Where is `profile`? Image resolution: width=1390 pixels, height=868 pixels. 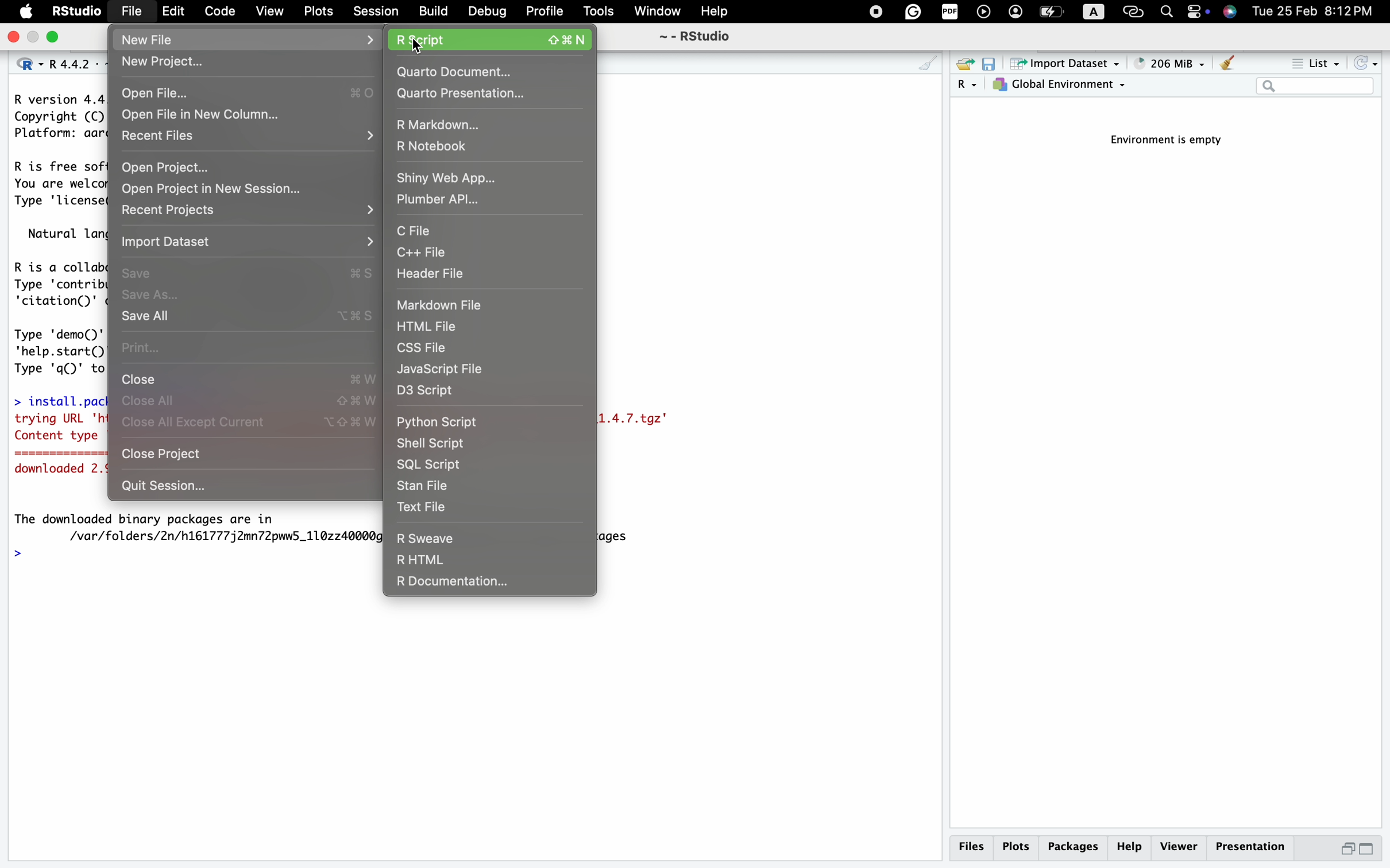 profile is located at coordinates (545, 13).